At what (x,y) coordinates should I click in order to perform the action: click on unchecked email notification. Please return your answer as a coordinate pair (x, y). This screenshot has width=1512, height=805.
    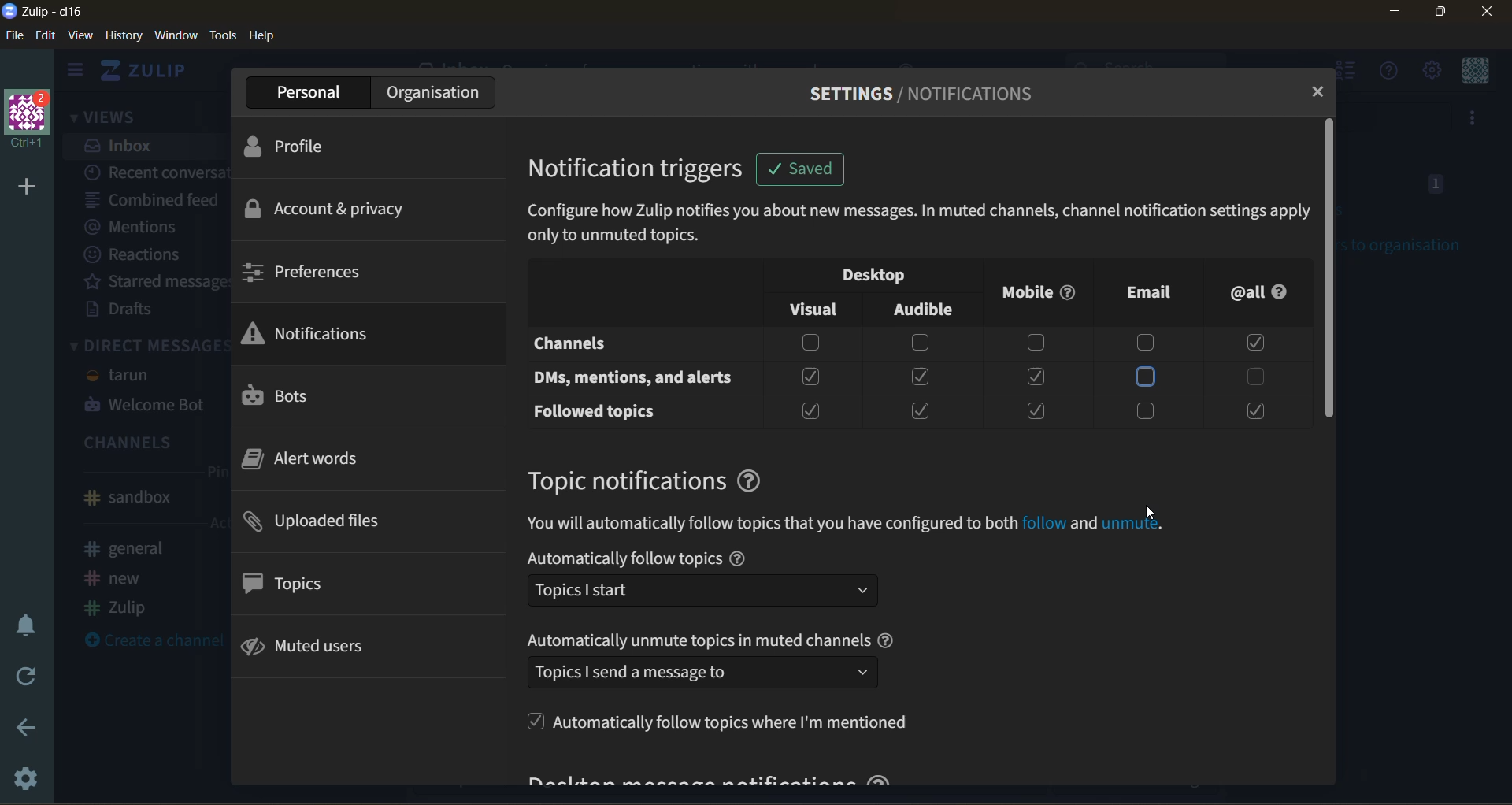
    Looking at the image, I should click on (1144, 377).